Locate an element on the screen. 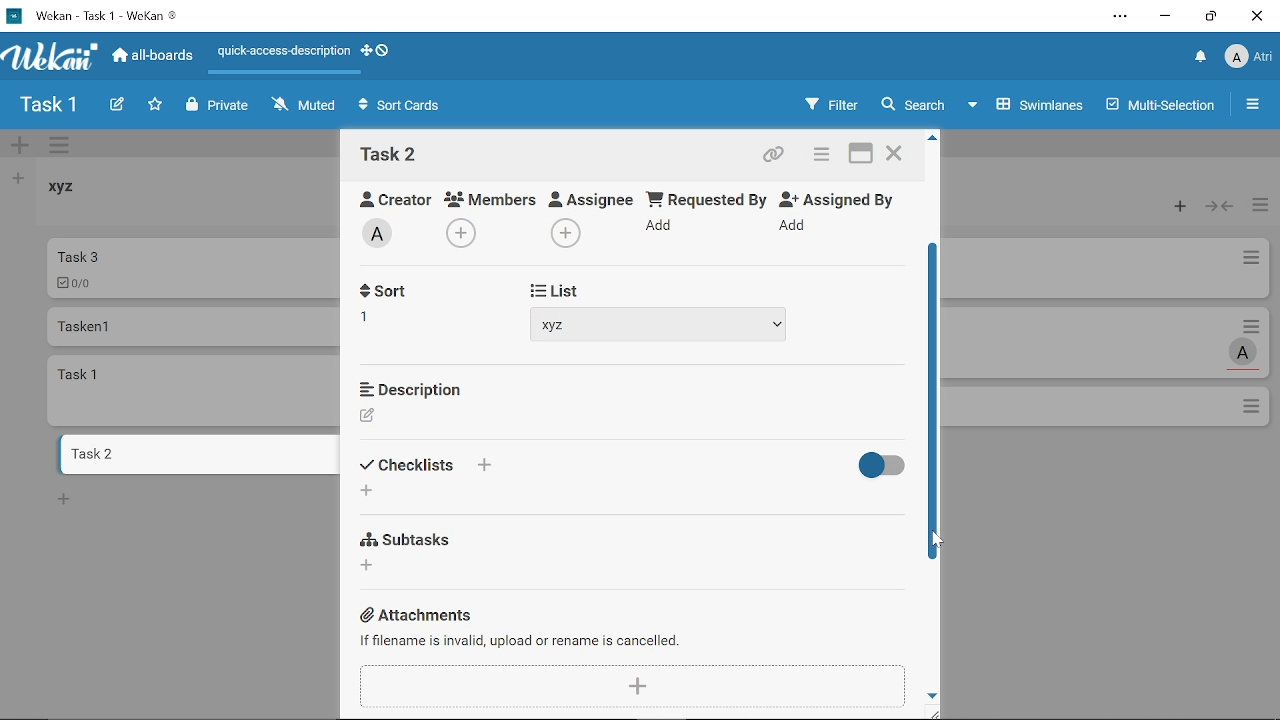 This screenshot has width=1280, height=720. Add is located at coordinates (483, 465).